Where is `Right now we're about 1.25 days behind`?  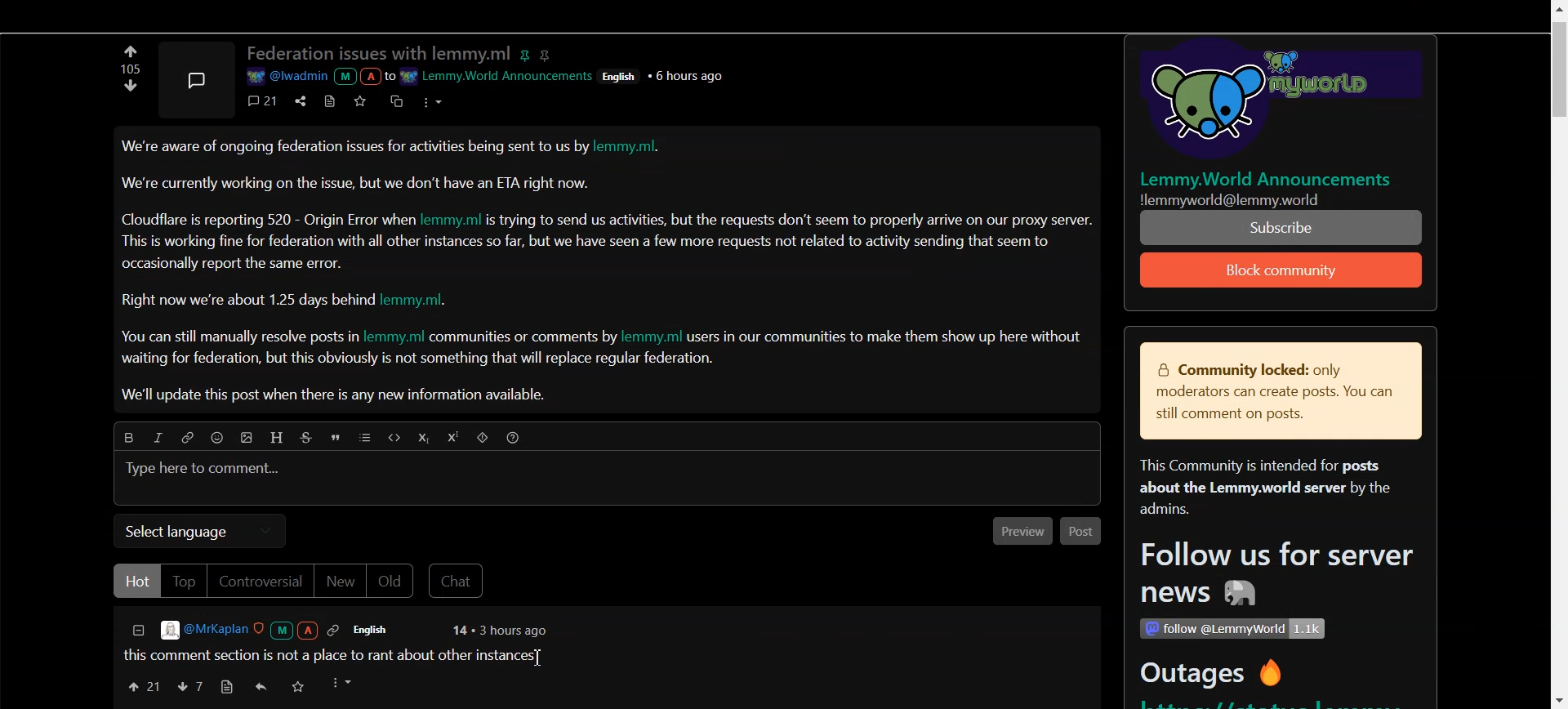
Right now we're about 1.25 days behind is located at coordinates (249, 301).